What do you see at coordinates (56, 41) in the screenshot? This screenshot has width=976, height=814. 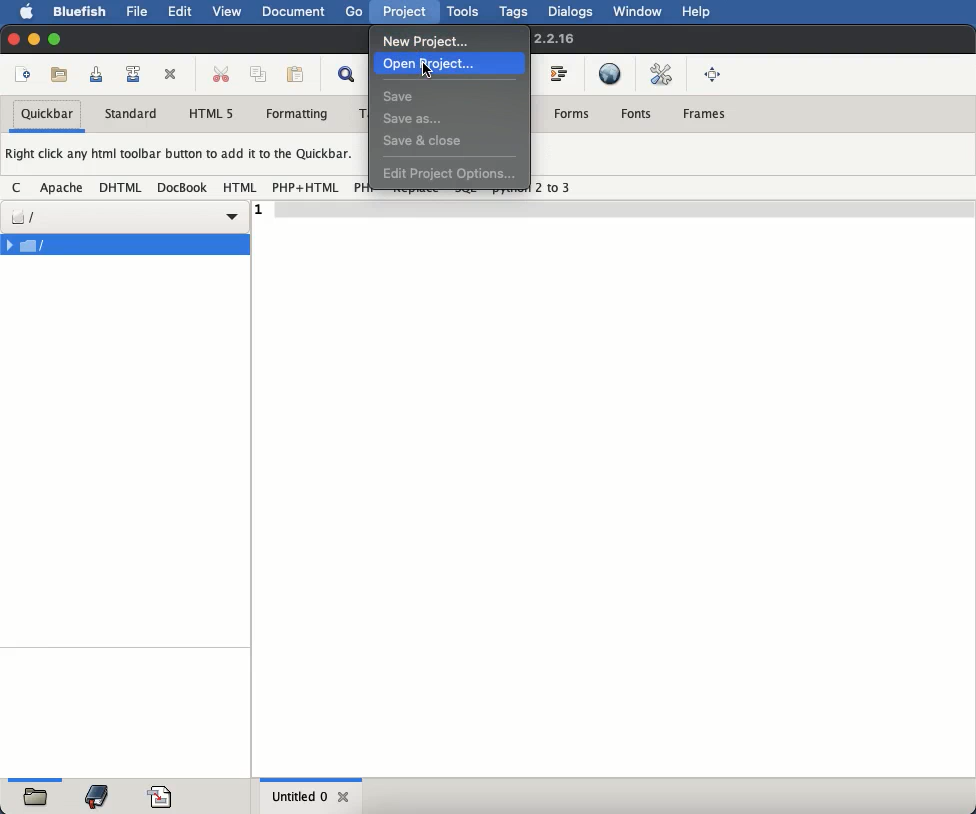 I see `maximize` at bounding box center [56, 41].